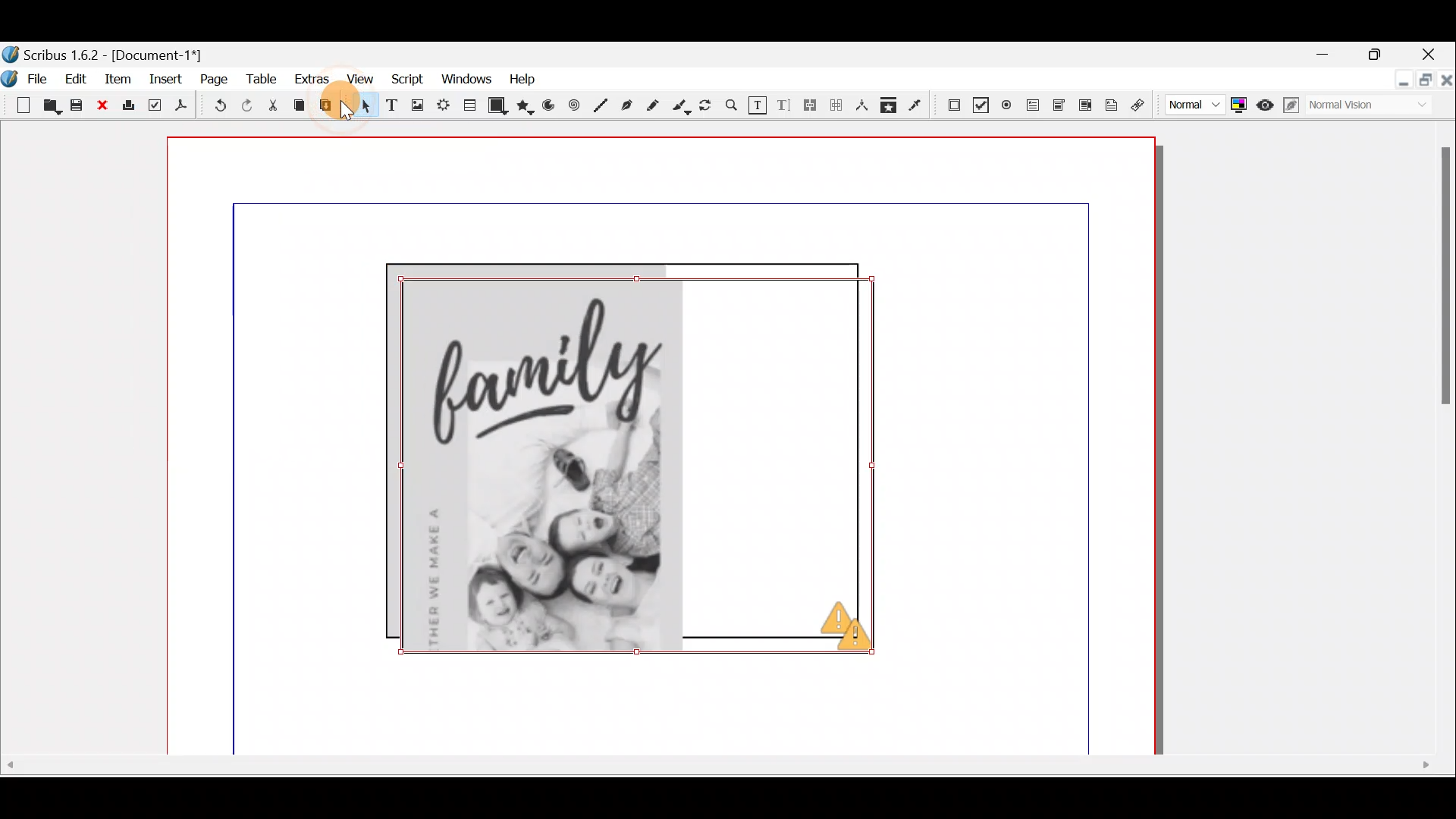 Image resolution: width=1456 pixels, height=819 pixels. What do you see at coordinates (656, 105) in the screenshot?
I see `Freehand line` at bounding box center [656, 105].